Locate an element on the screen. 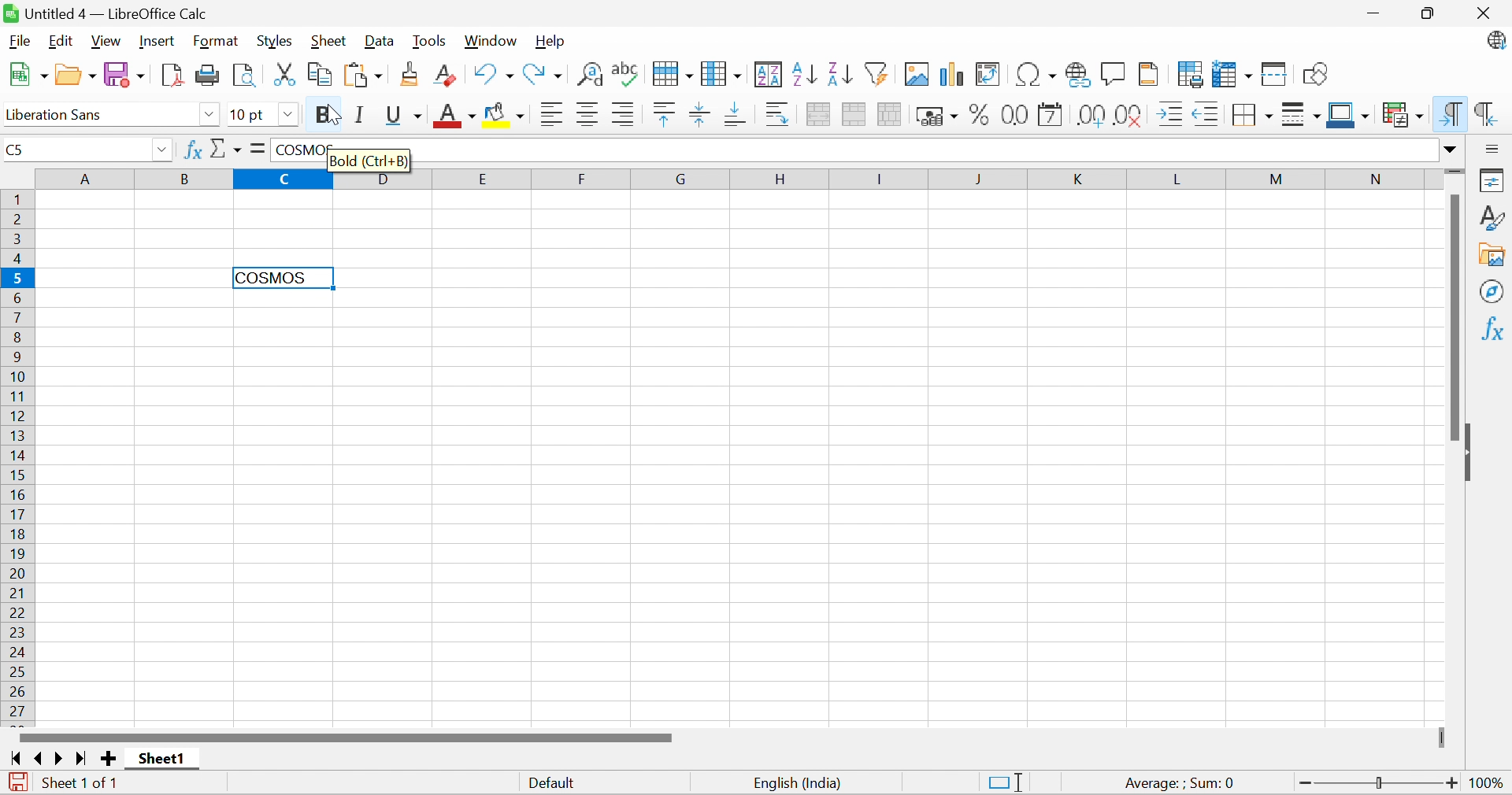 The image size is (1512, 795). Data is located at coordinates (380, 41).